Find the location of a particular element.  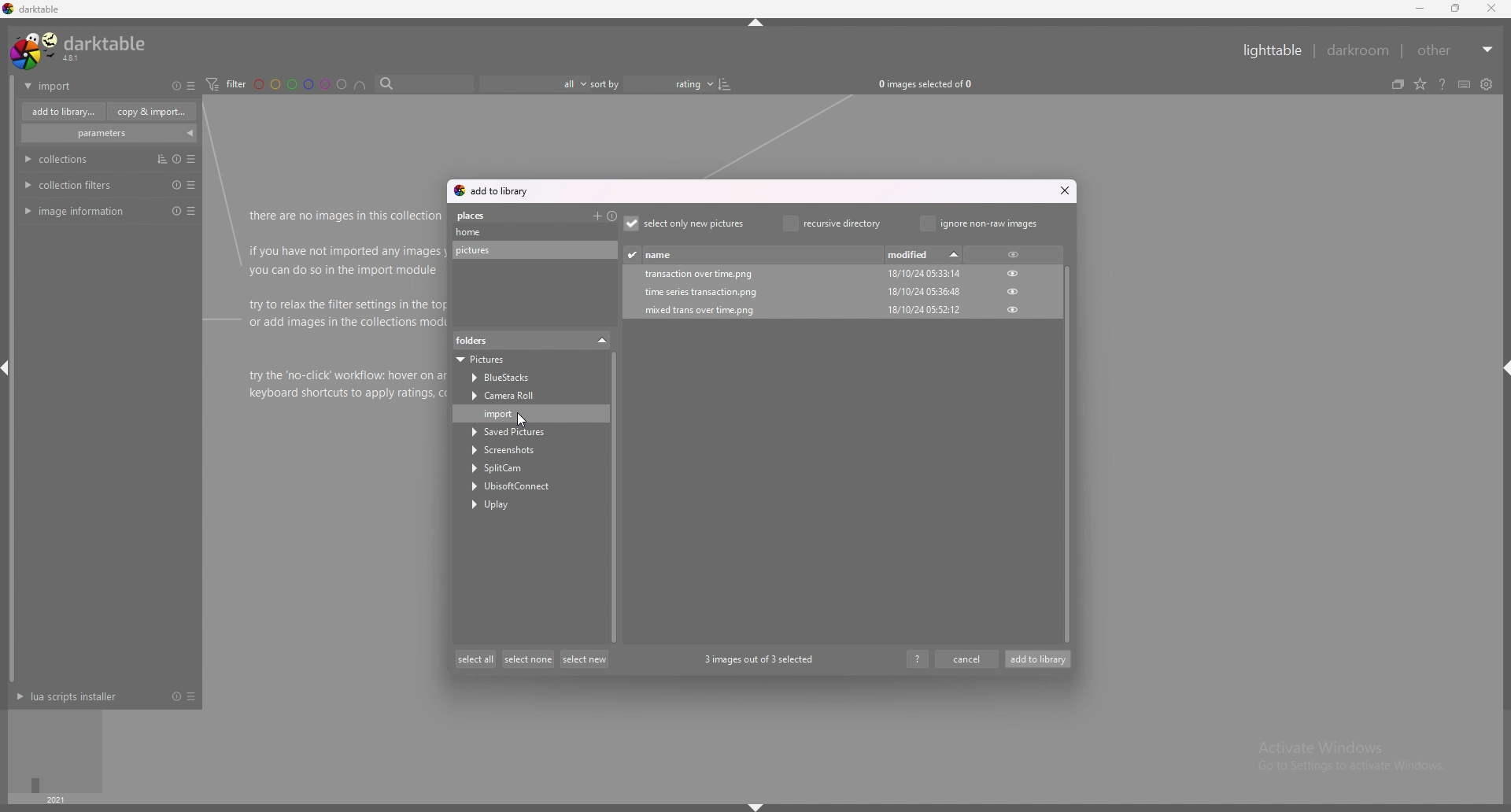

18/10/24 05:36:48 is located at coordinates (921, 291).